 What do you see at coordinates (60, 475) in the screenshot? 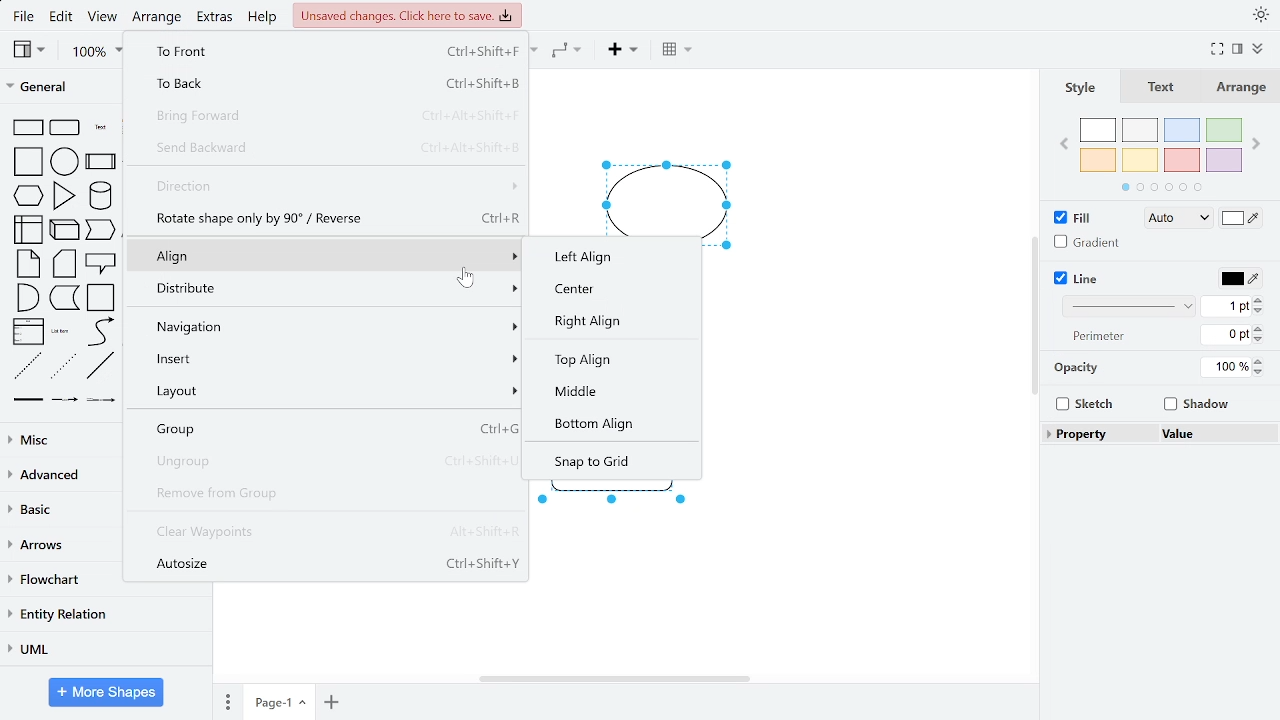
I see `advanced` at bounding box center [60, 475].